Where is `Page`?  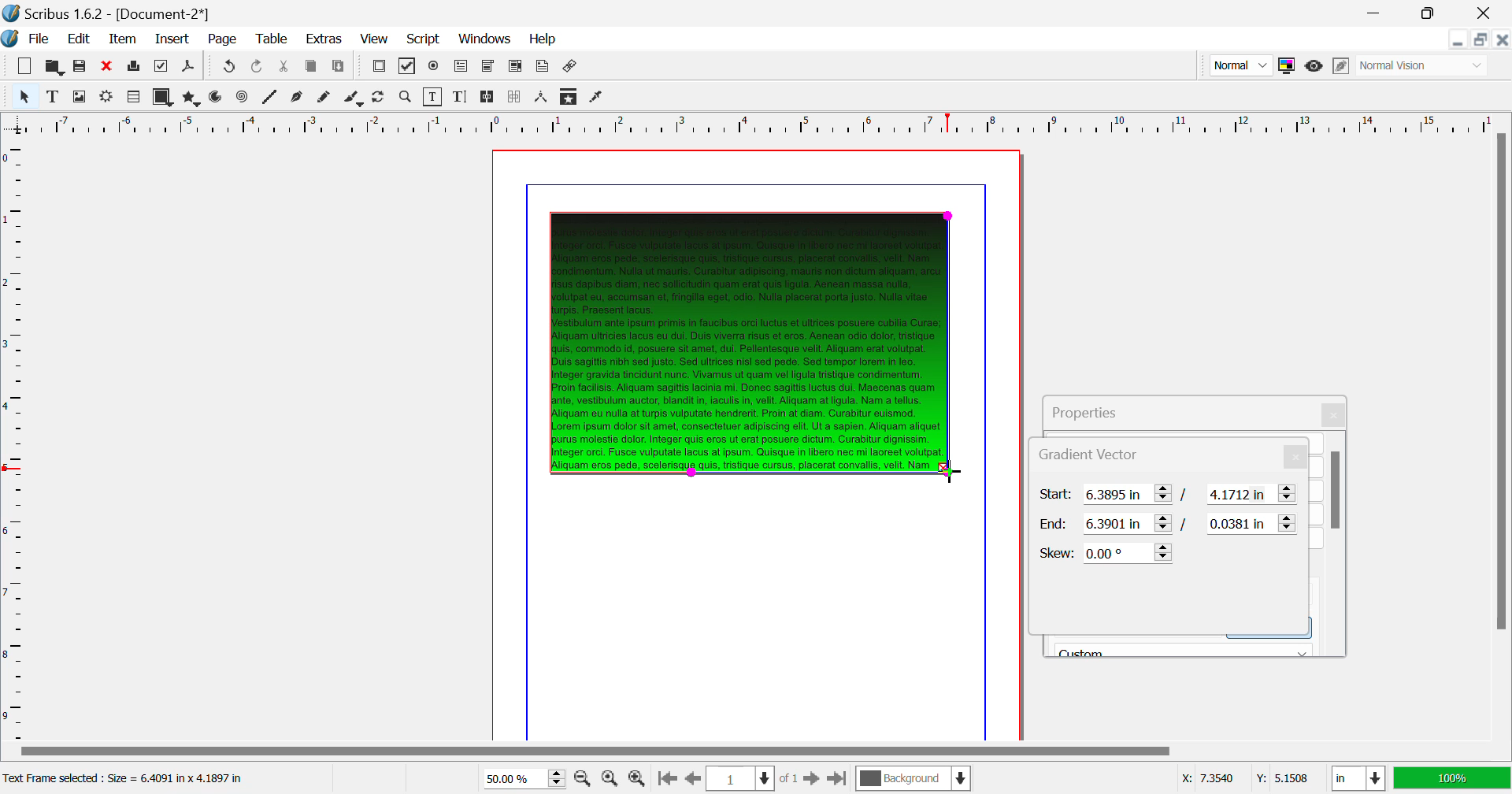
Page is located at coordinates (221, 40).